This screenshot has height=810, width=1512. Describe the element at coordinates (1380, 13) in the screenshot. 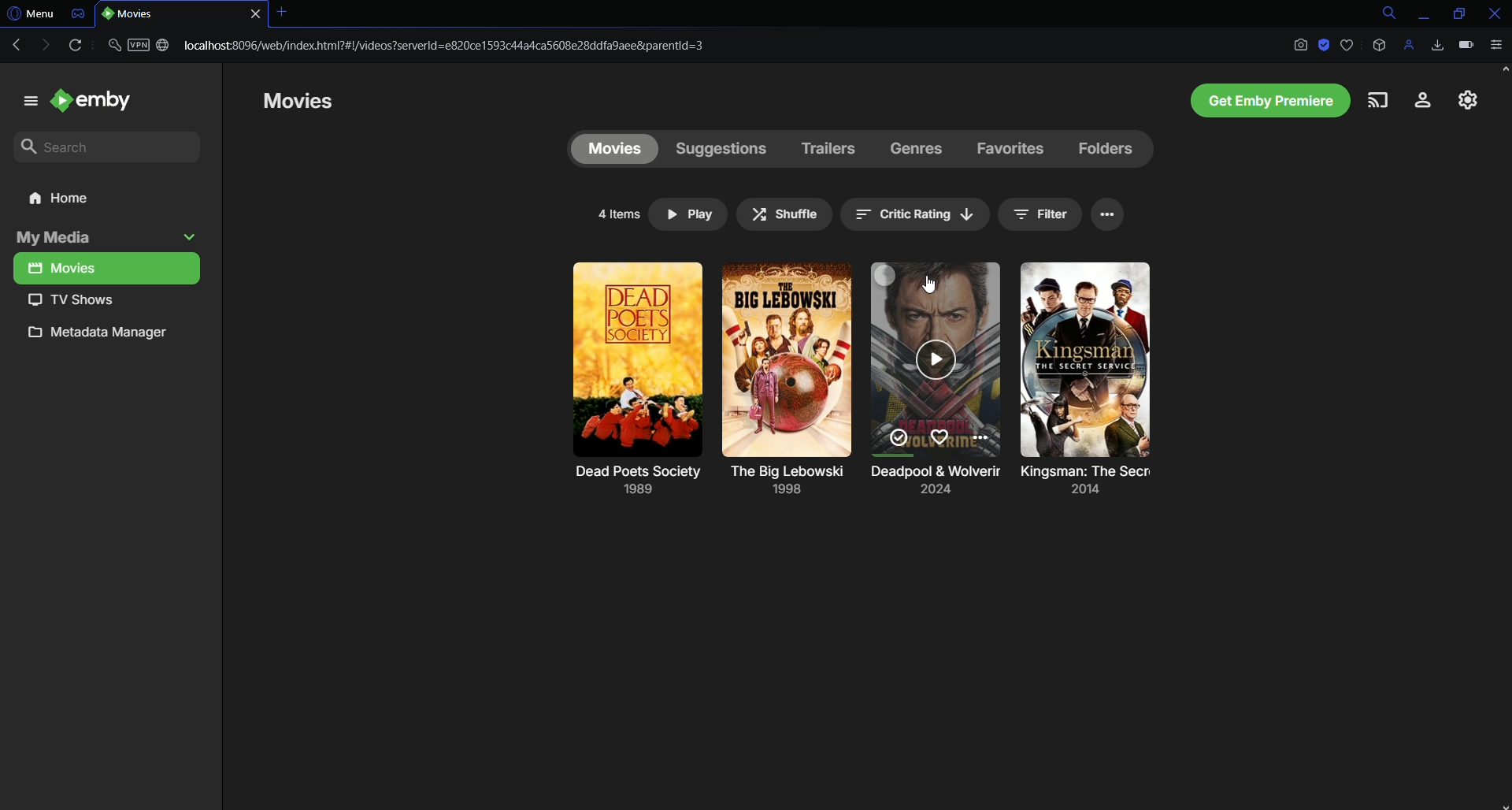

I see `Search` at that location.